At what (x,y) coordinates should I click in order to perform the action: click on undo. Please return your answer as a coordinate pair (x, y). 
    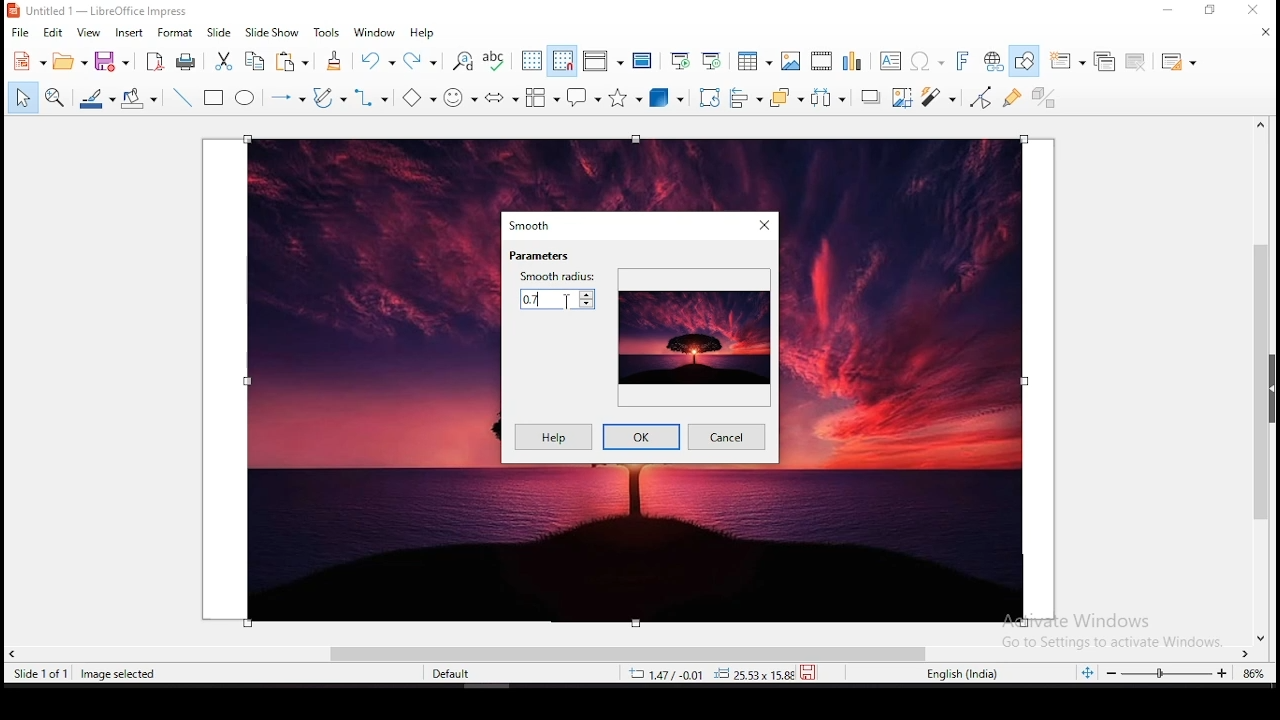
    Looking at the image, I should click on (379, 61).